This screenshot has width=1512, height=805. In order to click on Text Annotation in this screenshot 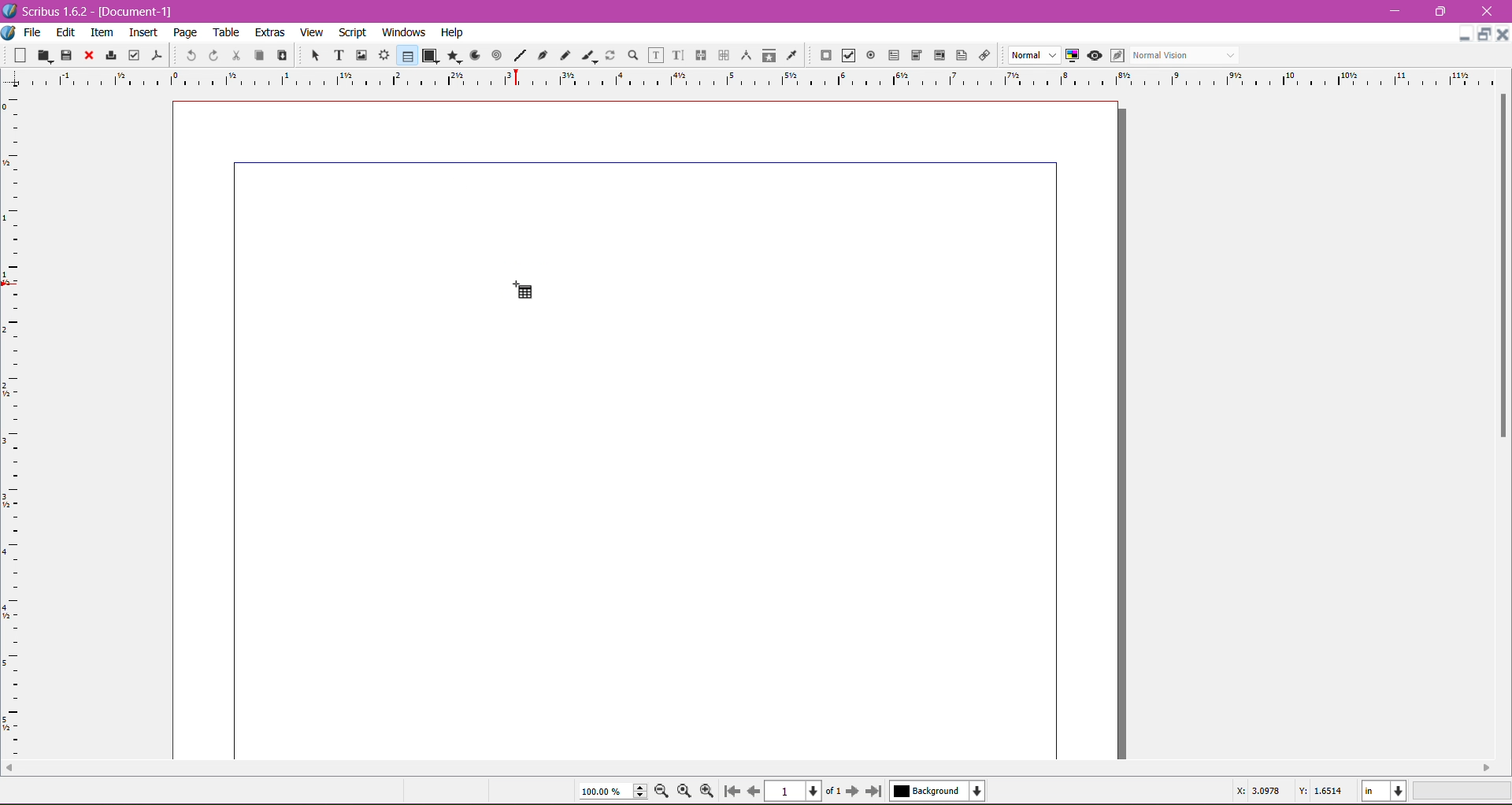, I will do `click(959, 53)`.